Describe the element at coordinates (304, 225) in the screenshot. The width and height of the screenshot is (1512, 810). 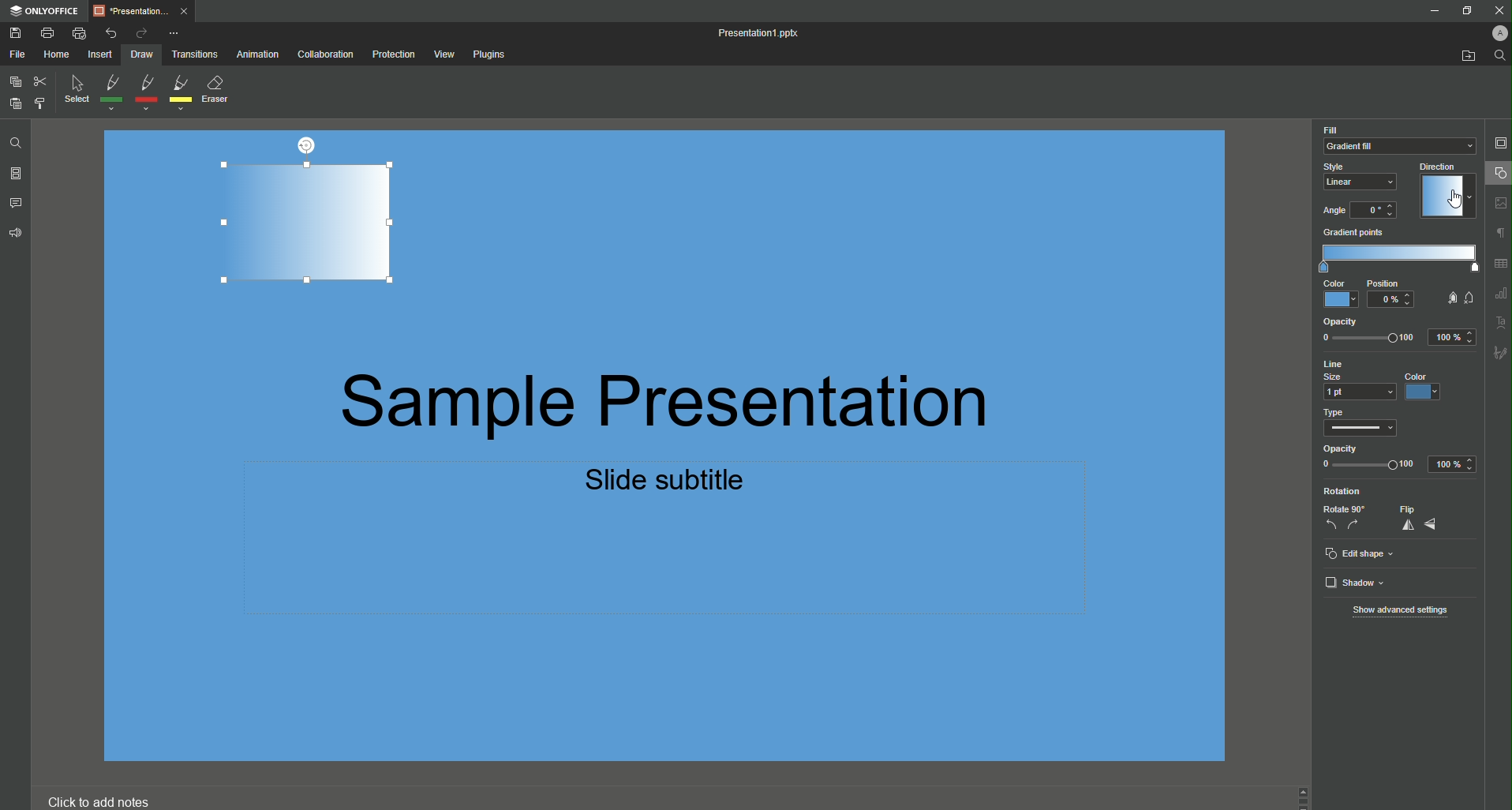
I see `Rectangle` at that location.